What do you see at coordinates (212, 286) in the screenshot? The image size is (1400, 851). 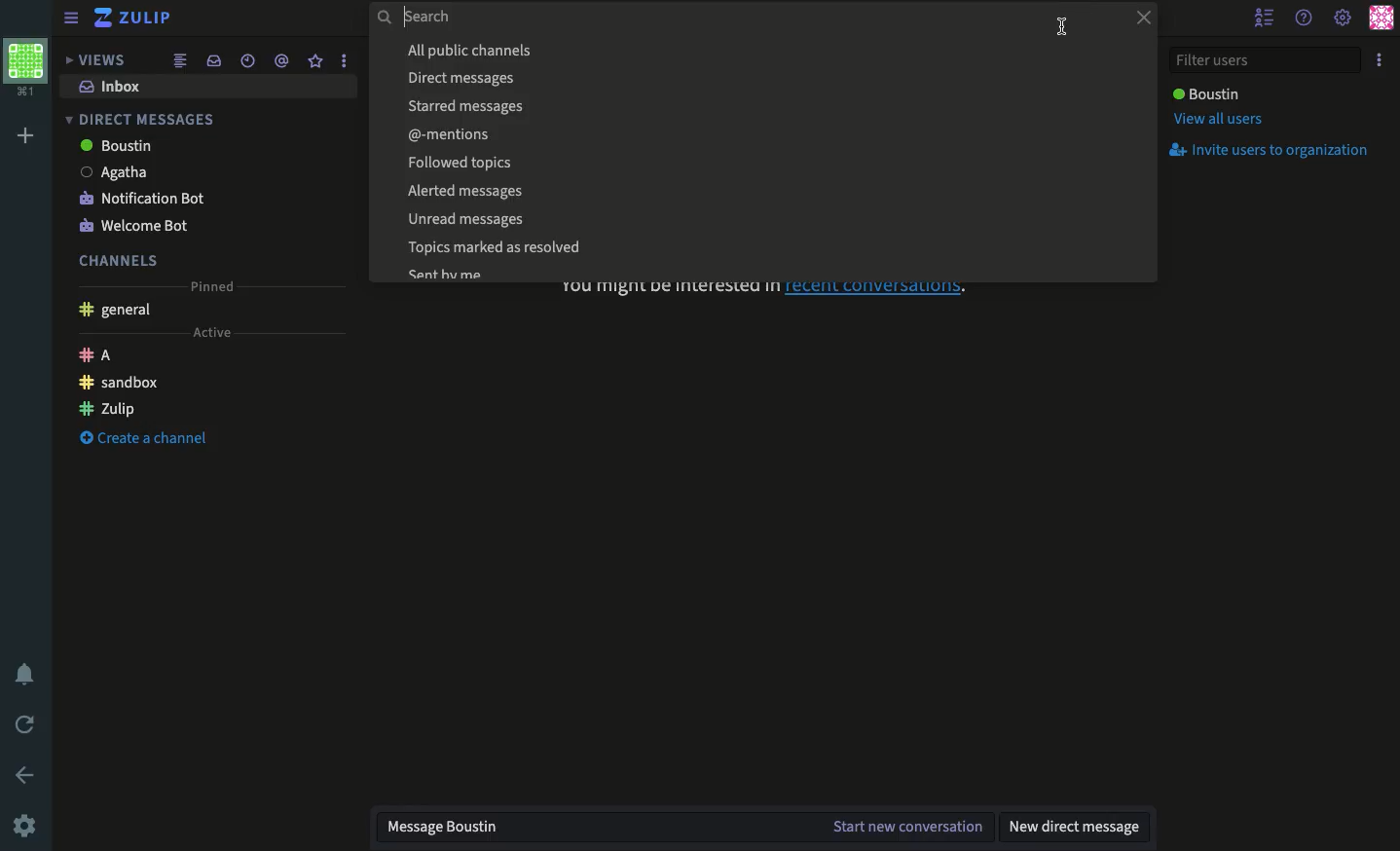 I see `Pinned` at bounding box center [212, 286].